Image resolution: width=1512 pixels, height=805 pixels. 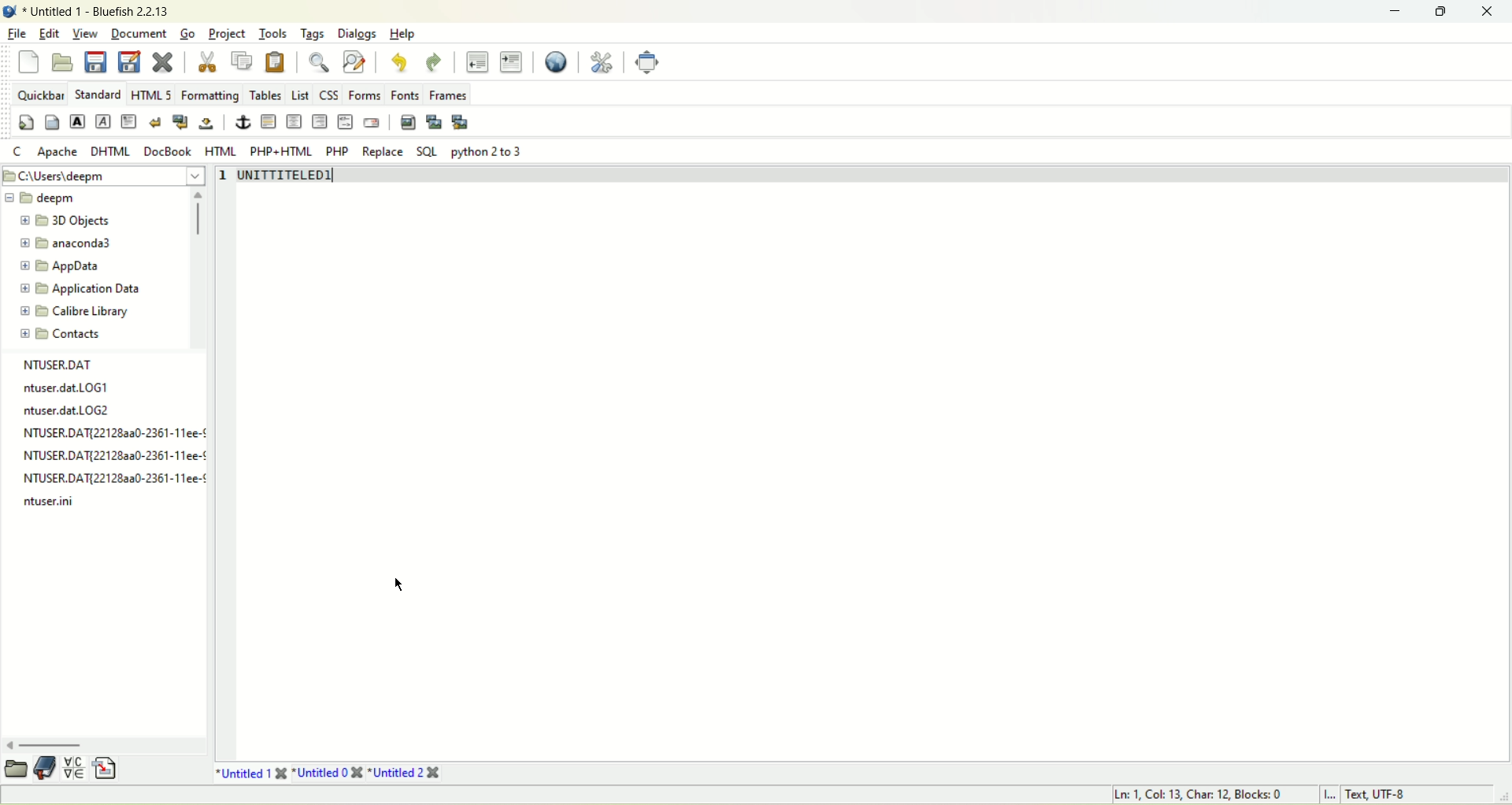 I want to click on dropdown, so click(x=199, y=174).